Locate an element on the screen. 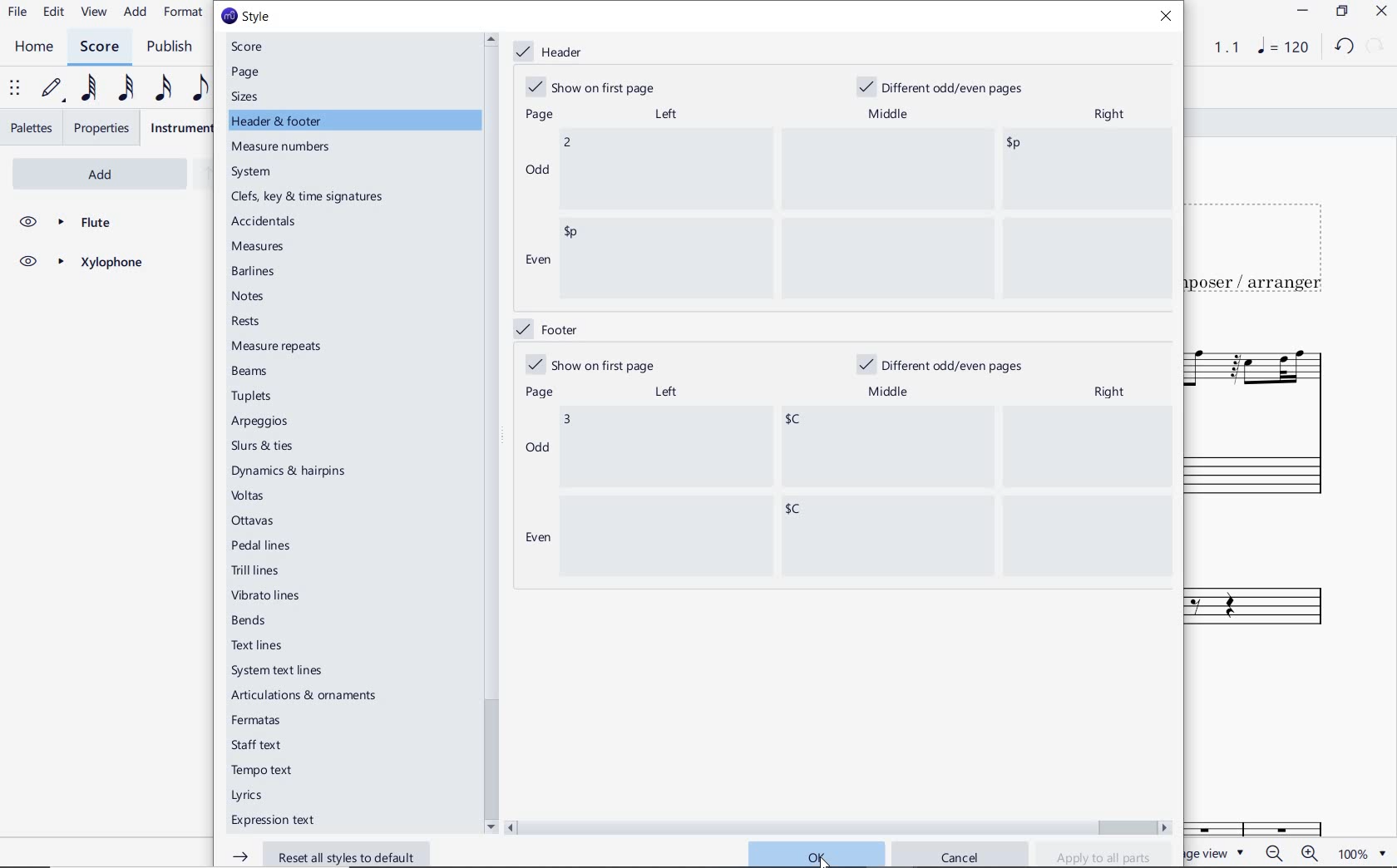 This screenshot has width=1397, height=868. PAGE VIEW is located at coordinates (1220, 852).